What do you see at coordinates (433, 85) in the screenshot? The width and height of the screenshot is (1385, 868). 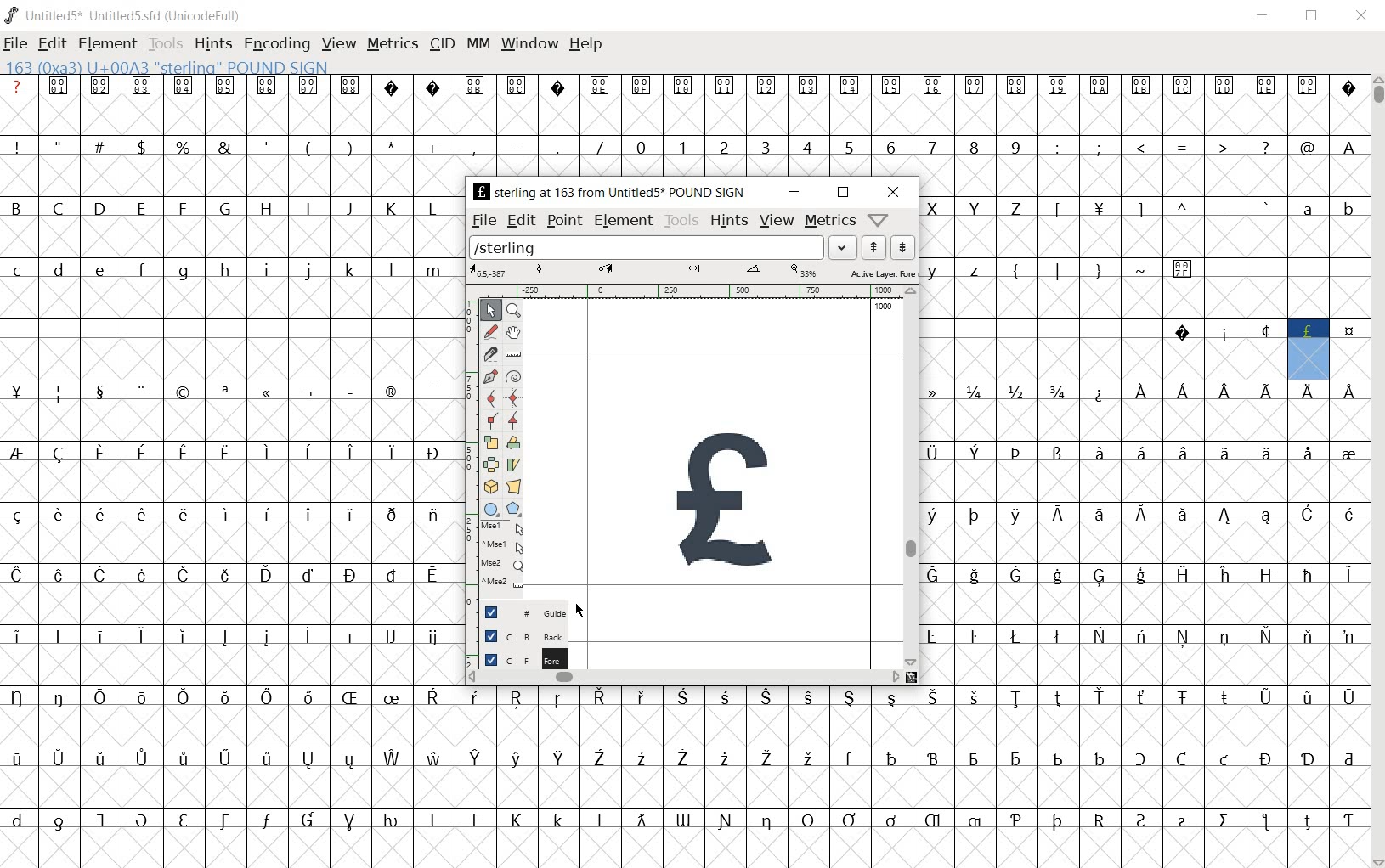 I see `Symbol` at bounding box center [433, 85].